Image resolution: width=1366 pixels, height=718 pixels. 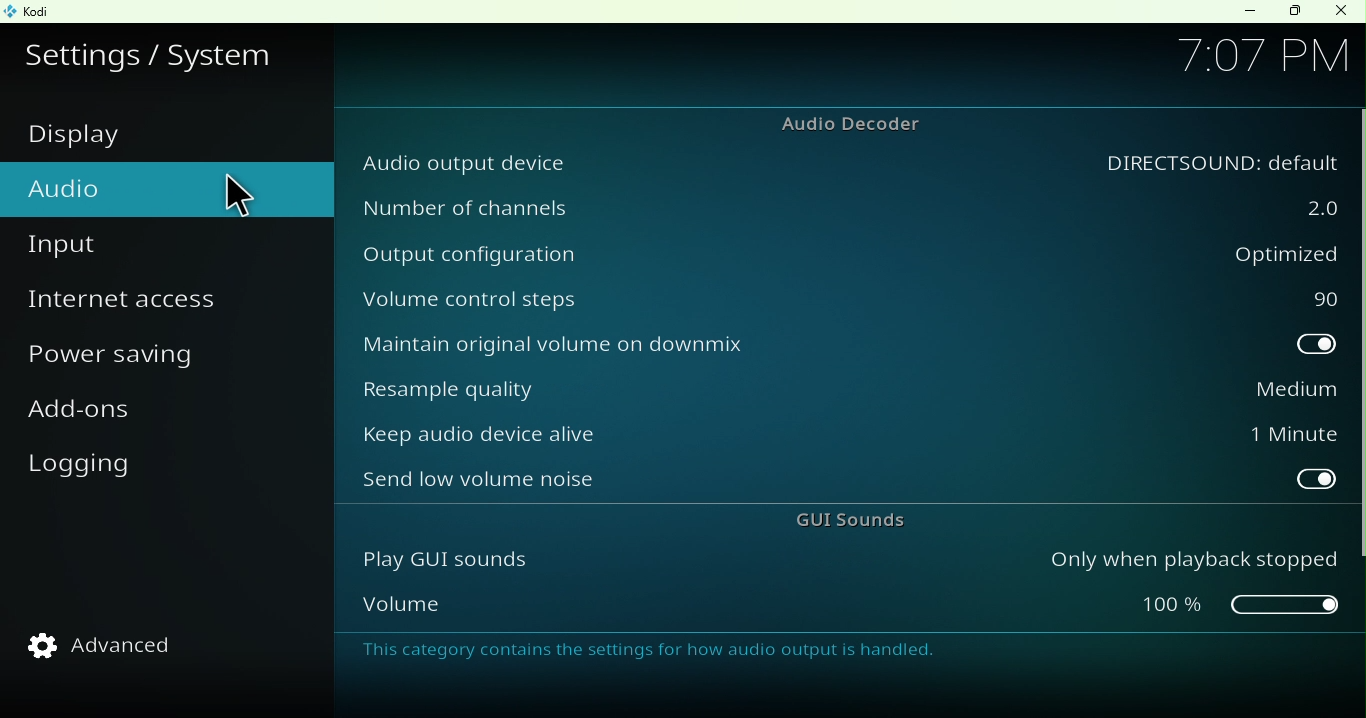 What do you see at coordinates (718, 346) in the screenshot?
I see `Maintain original volume on downmix` at bounding box center [718, 346].